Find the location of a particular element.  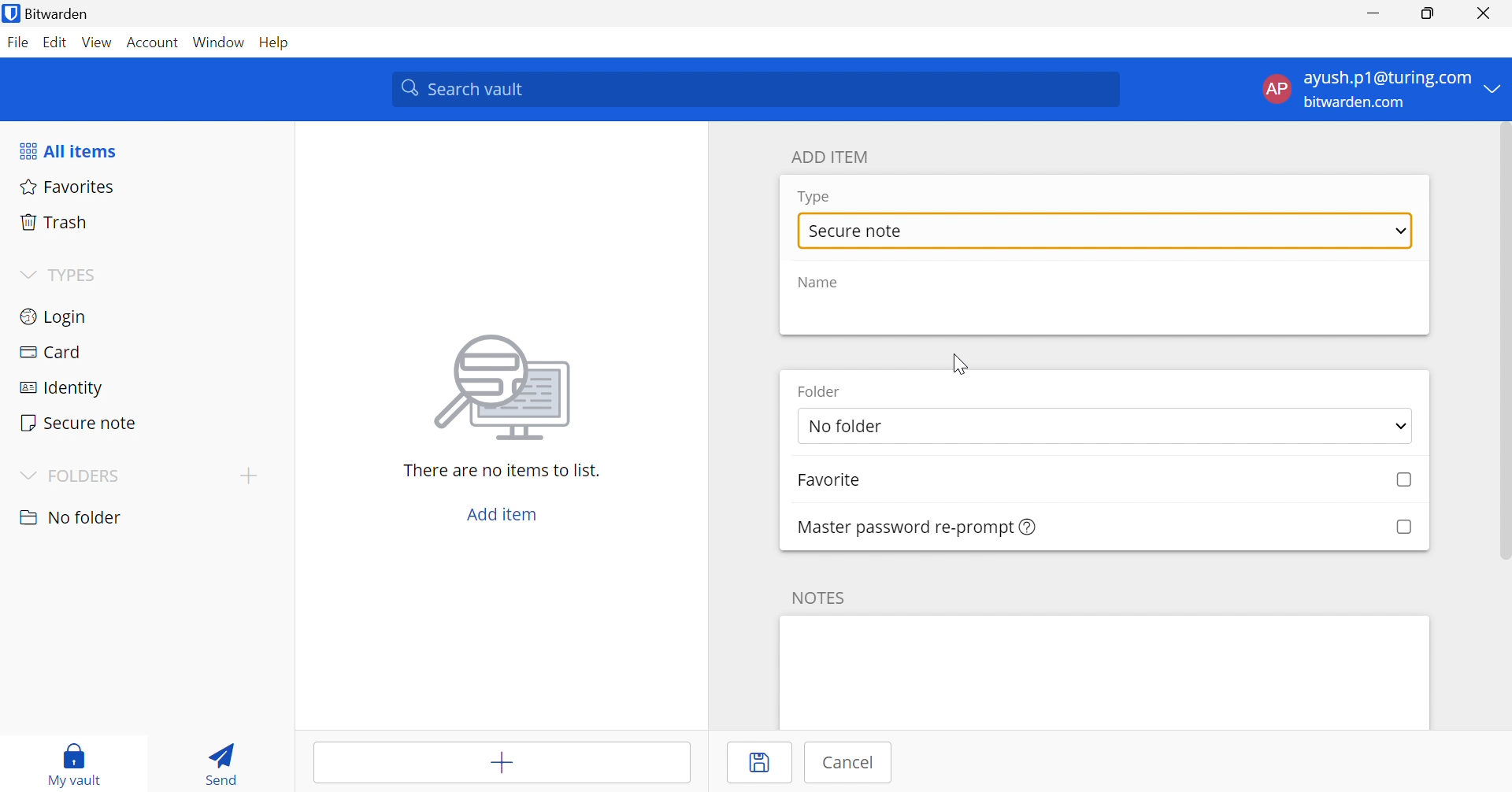

Help is located at coordinates (281, 43).